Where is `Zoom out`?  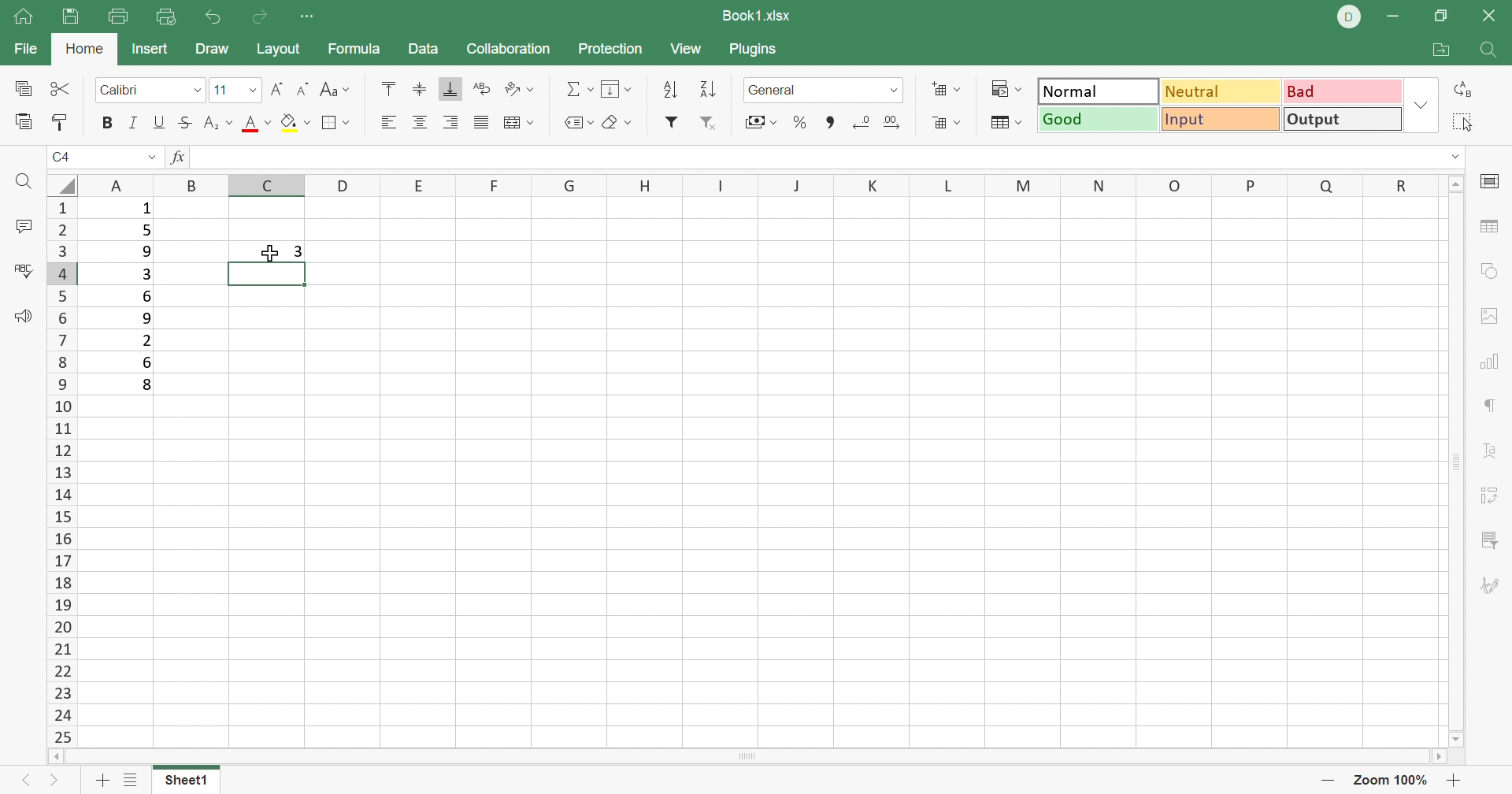
Zoom out is located at coordinates (1327, 781).